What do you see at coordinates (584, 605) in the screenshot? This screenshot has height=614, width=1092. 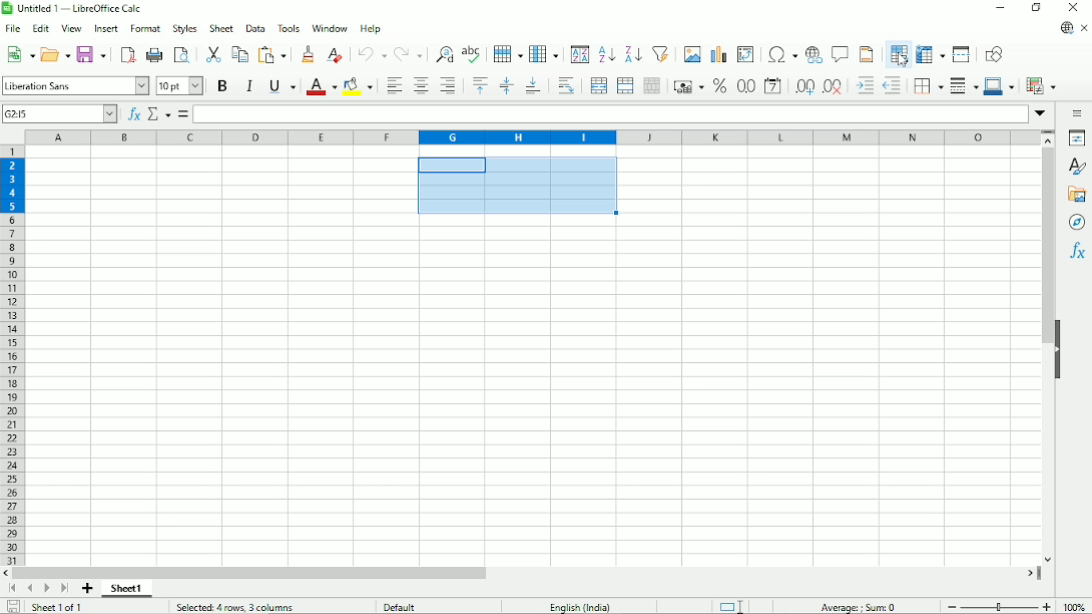 I see `Language` at bounding box center [584, 605].